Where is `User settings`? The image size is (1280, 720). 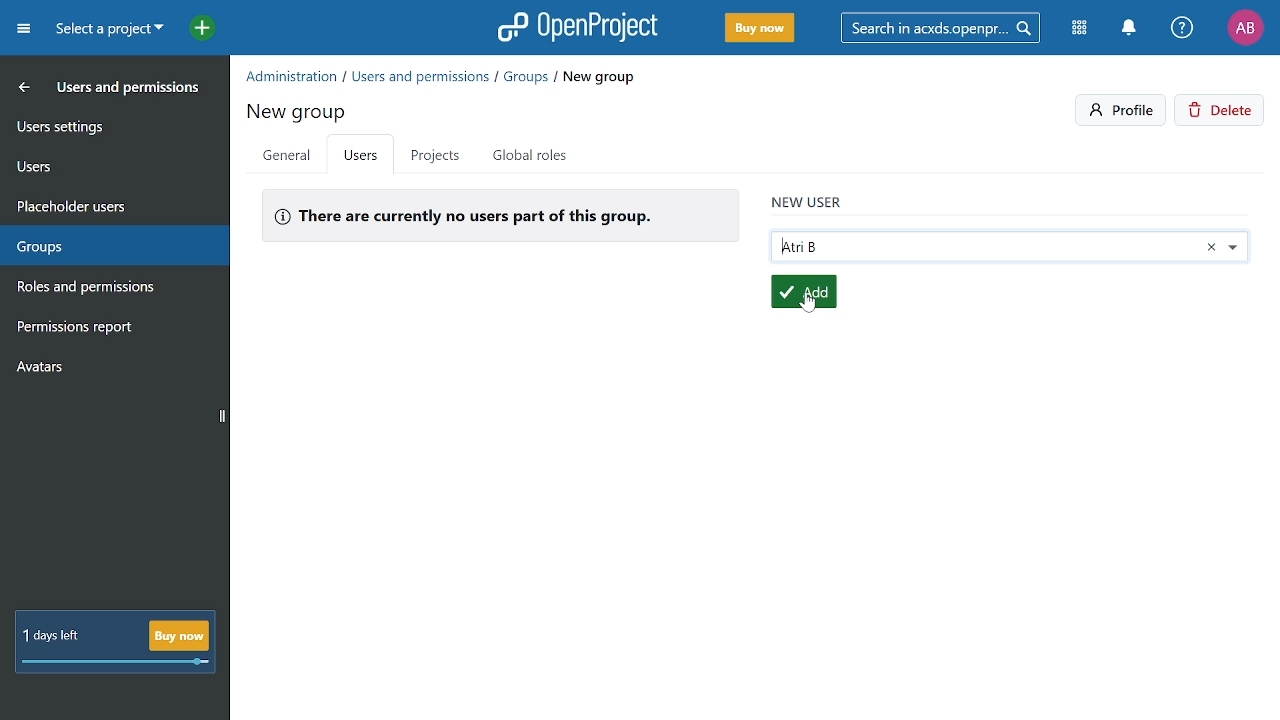
User settings is located at coordinates (113, 125).